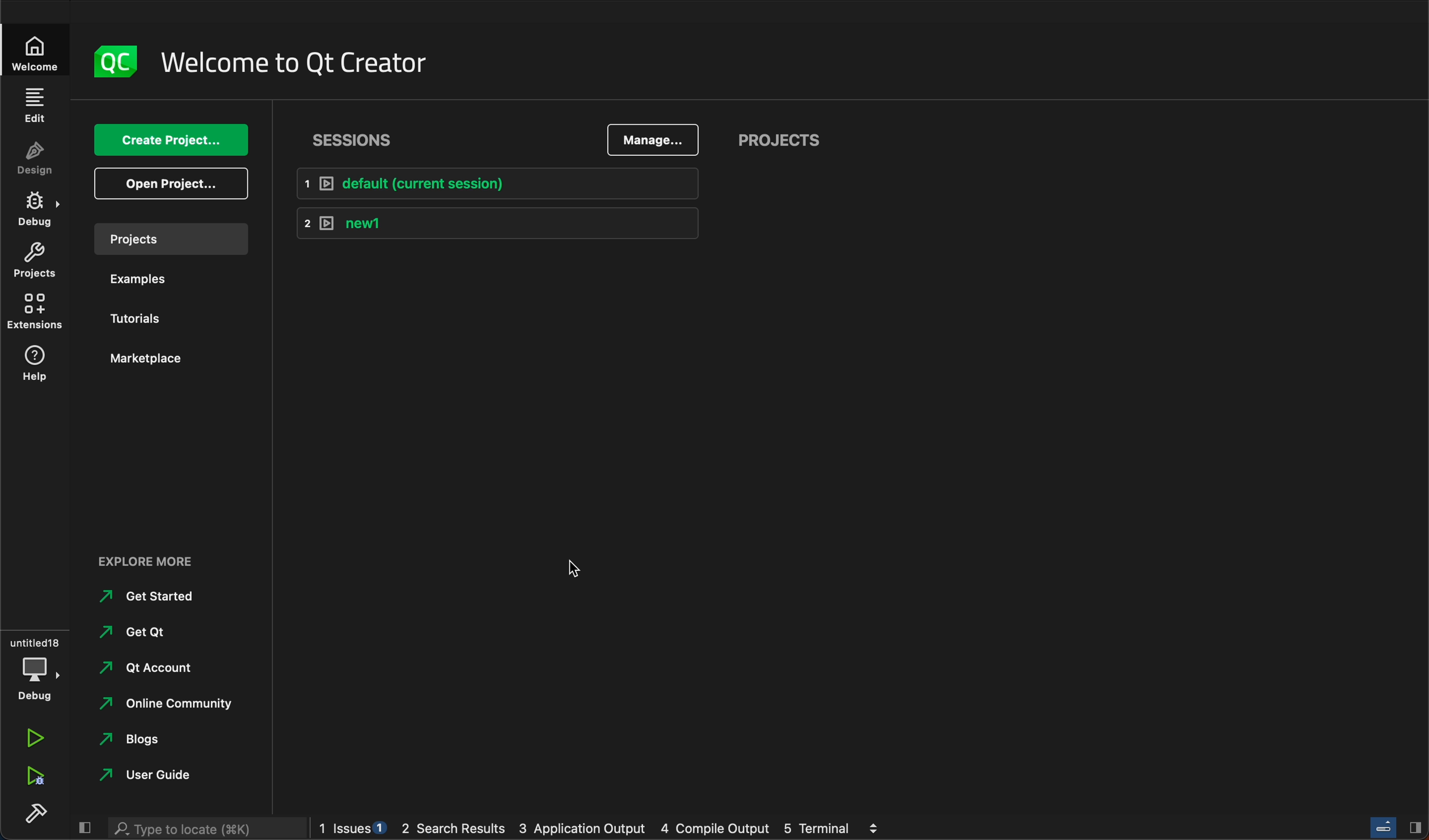 The height and width of the screenshot is (840, 1429). Describe the element at coordinates (208, 828) in the screenshot. I see `search bar` at that location.